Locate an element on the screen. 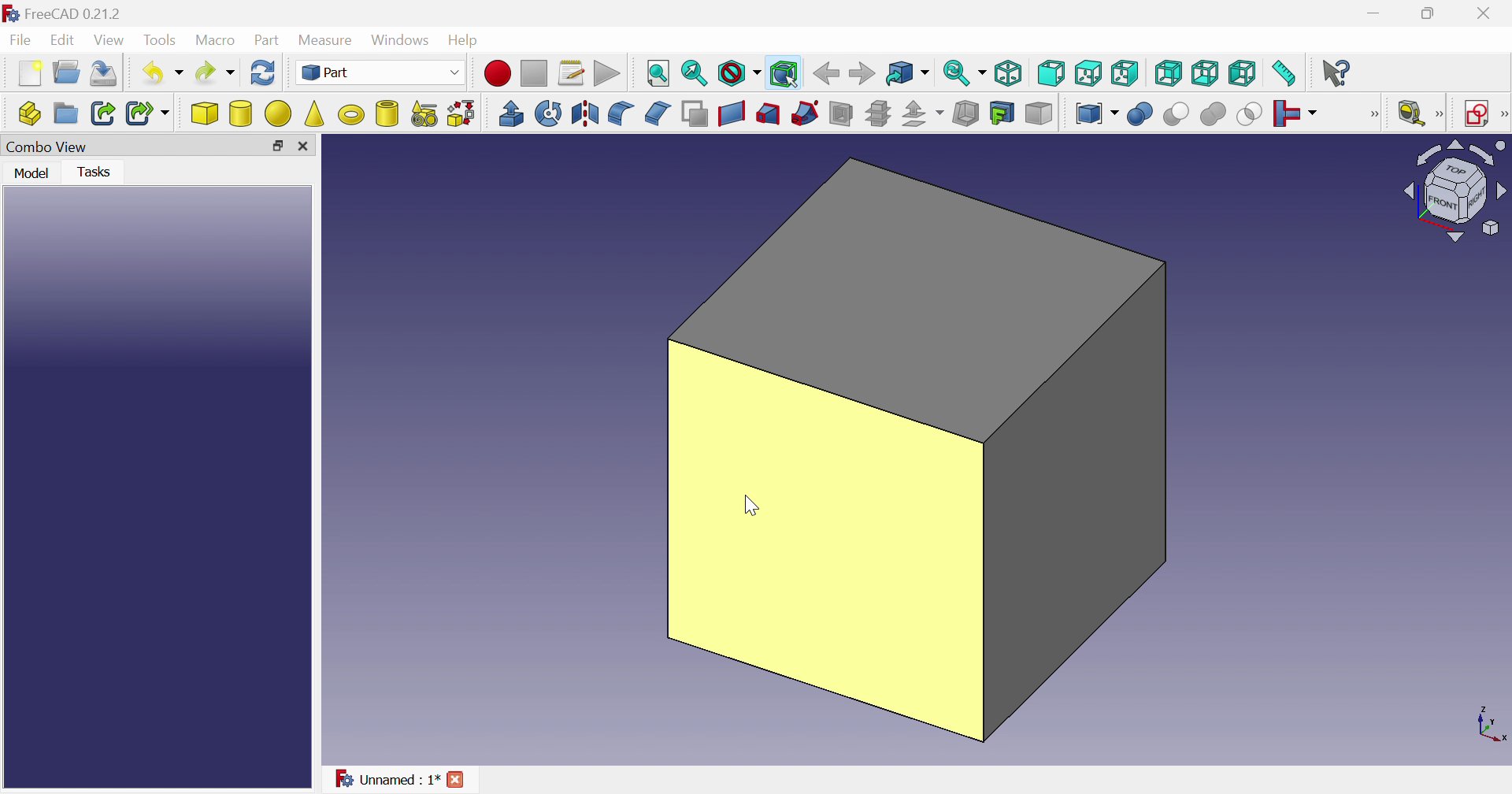 Image resolution: width=1512 pixels, height=794 pixels. Redo is located at coordinates (217, 72).